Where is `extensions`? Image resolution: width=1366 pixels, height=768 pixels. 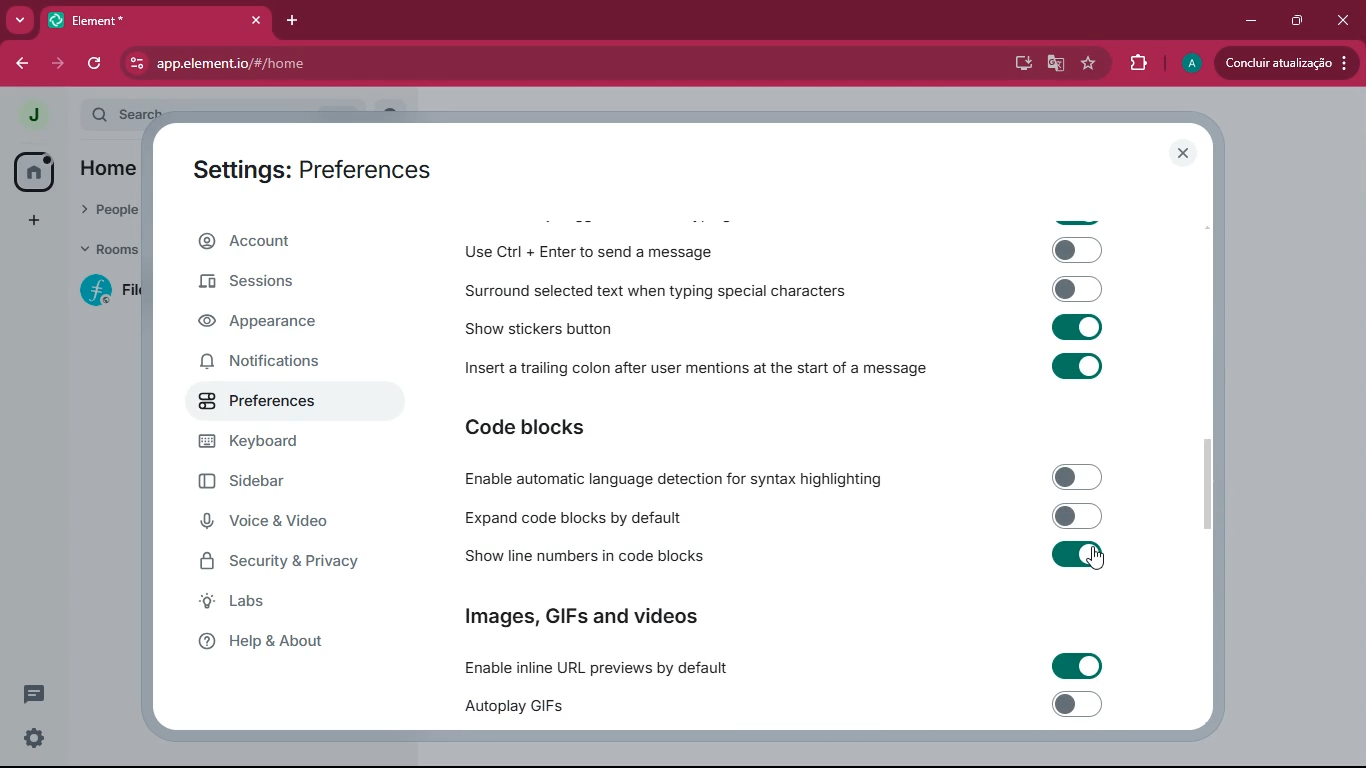
extensions is located at coordinates (1140, 63).